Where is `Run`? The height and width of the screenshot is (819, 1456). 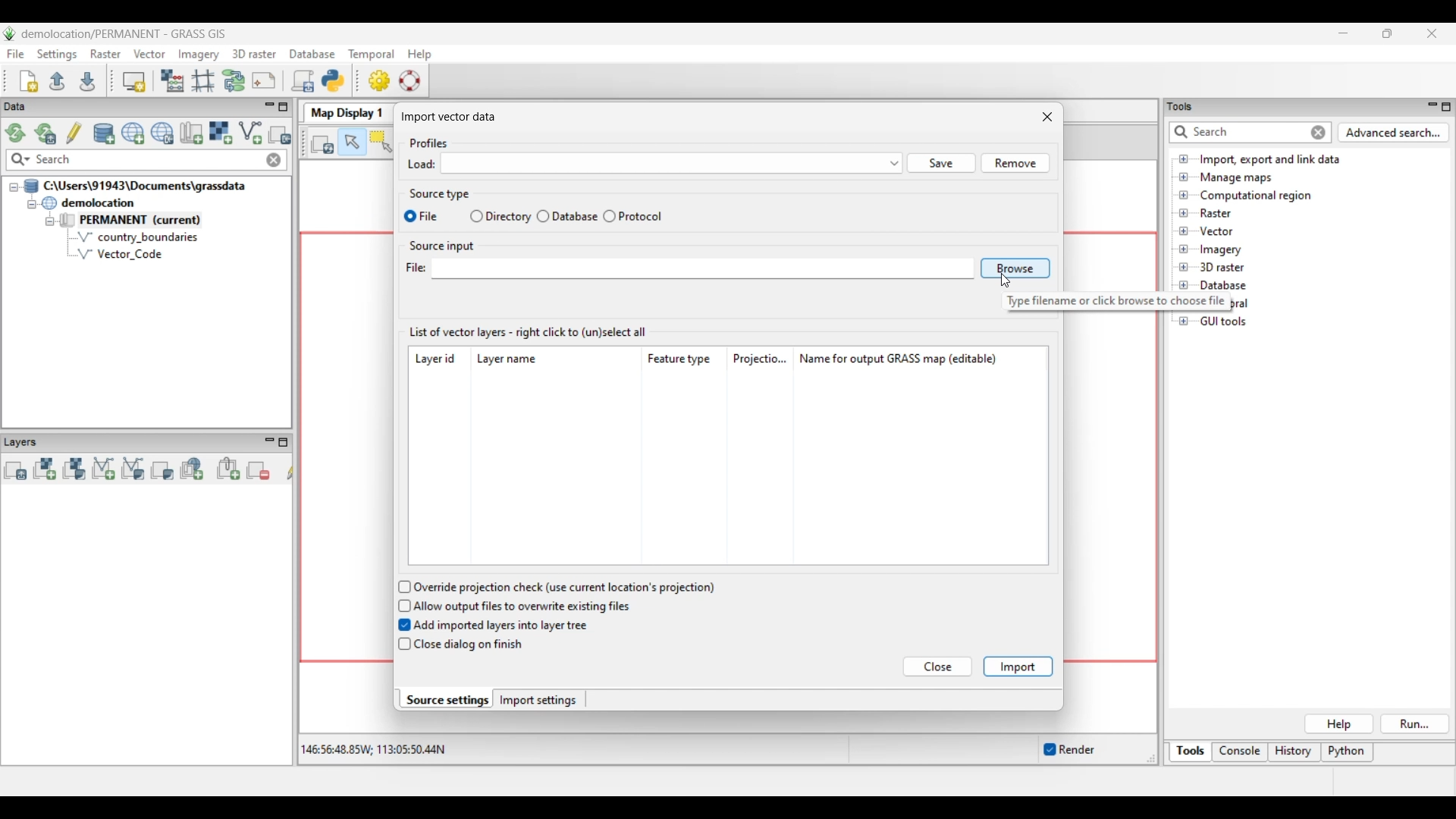
Run is located at coordinates (1416, 724).